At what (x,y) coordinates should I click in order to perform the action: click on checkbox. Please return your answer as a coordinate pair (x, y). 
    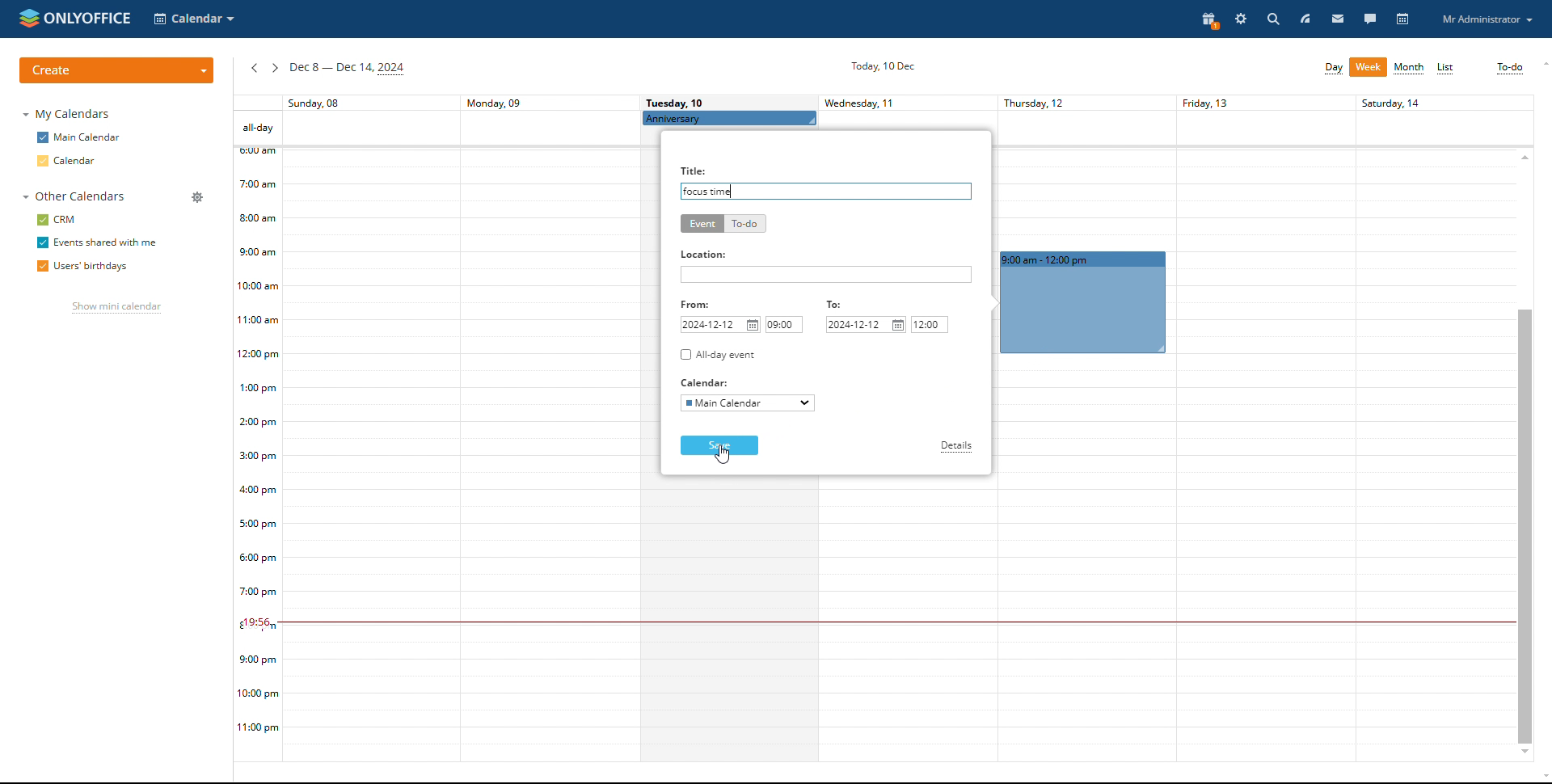
    Looking at the image, I should click on (42, 137).